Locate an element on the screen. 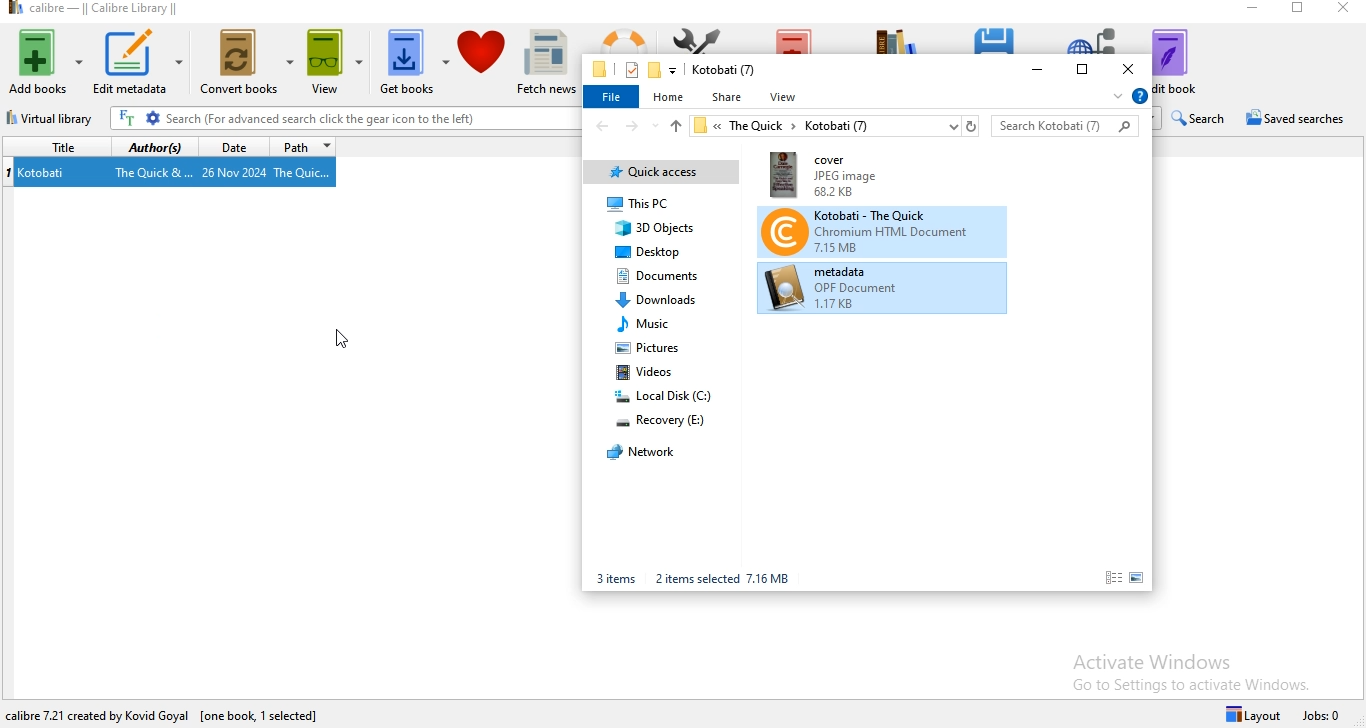 The width and height of the screenshot is (1366, 728). date is located at coordinates (235, 147).